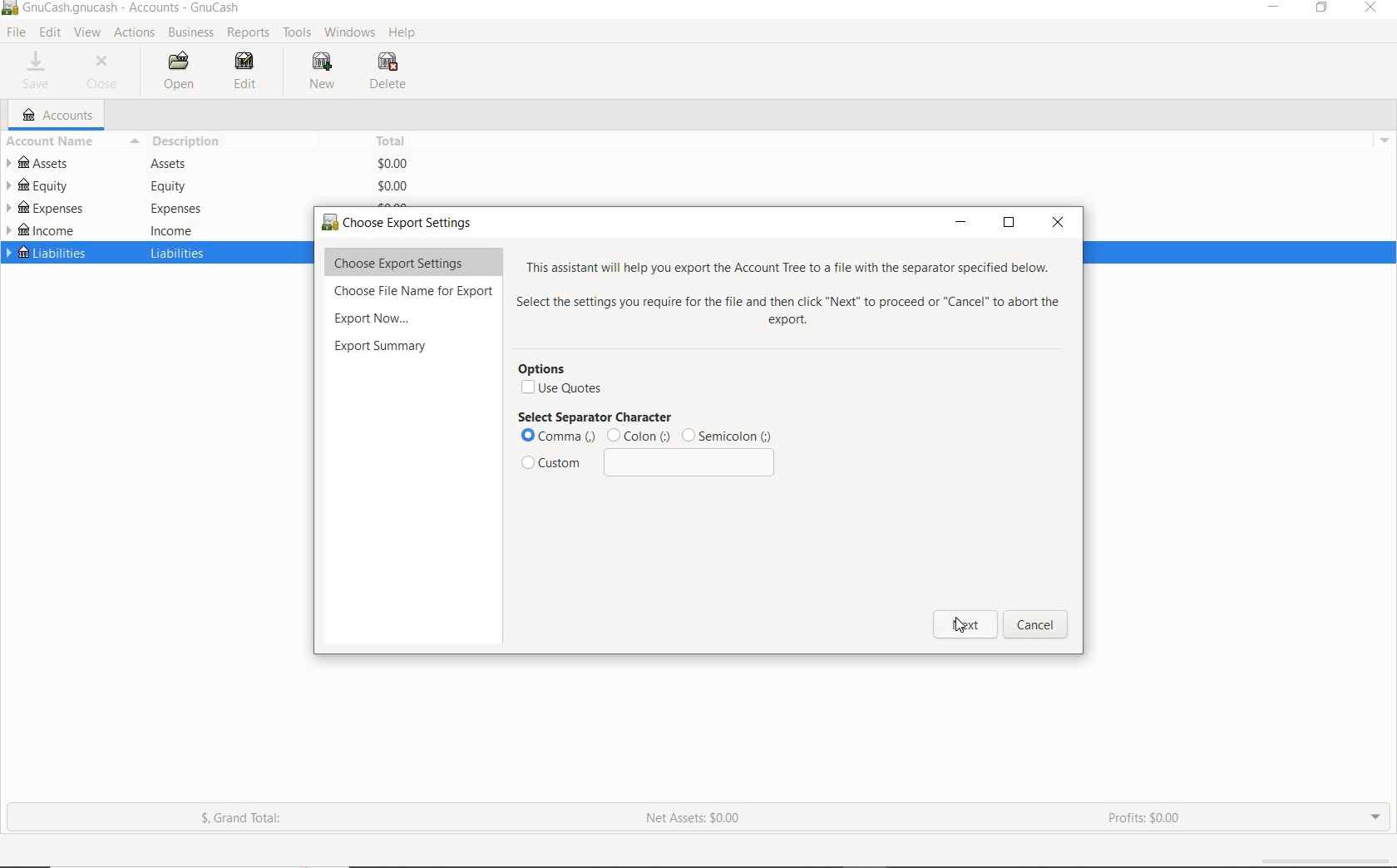 This screenshot has height=868, width=1397. Describe the element at coordinates (961, 223) in the screenshot. I see `minimize` at that location.